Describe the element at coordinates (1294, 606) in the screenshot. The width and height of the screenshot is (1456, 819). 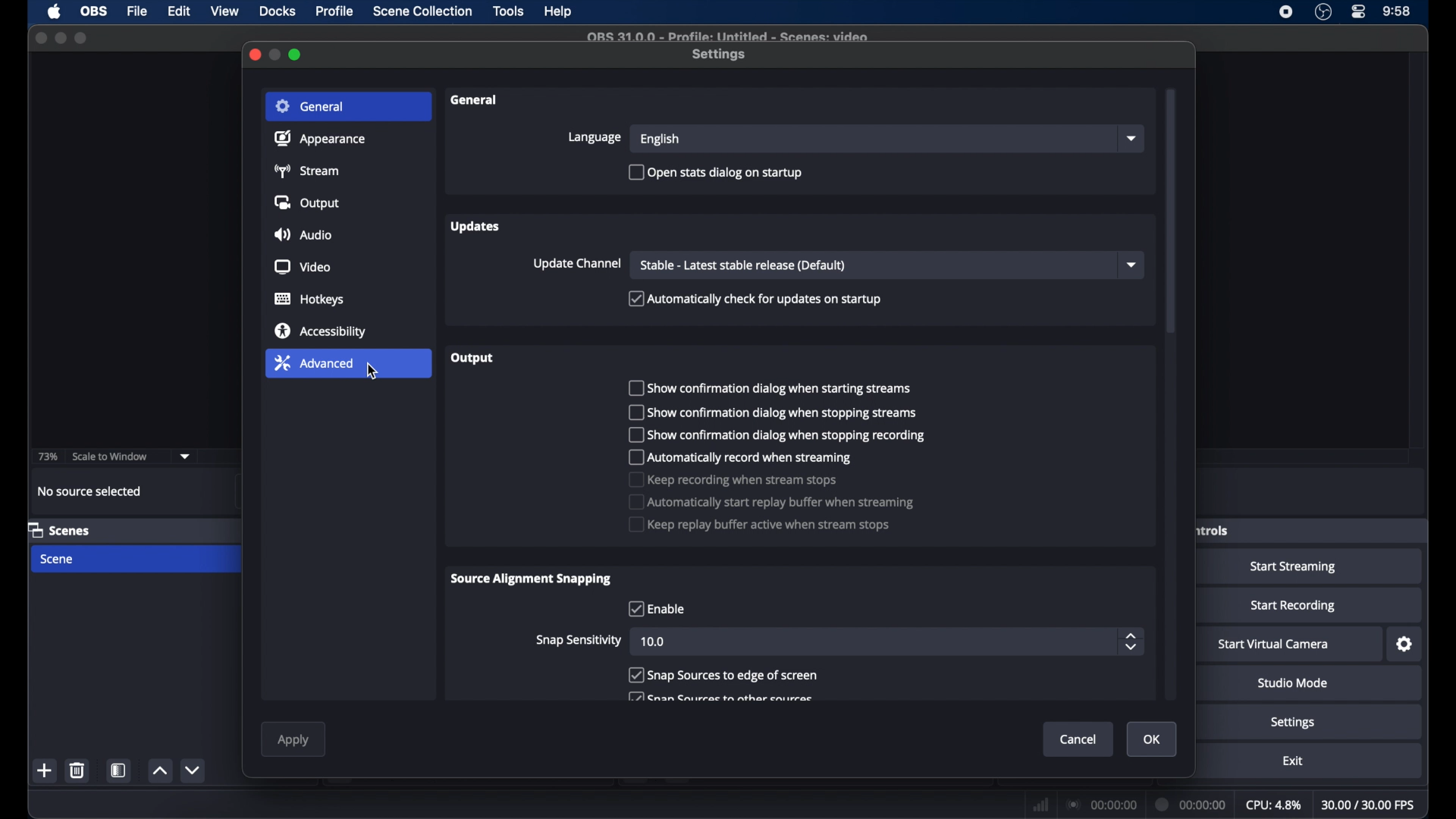
I see `start recording` at that location.